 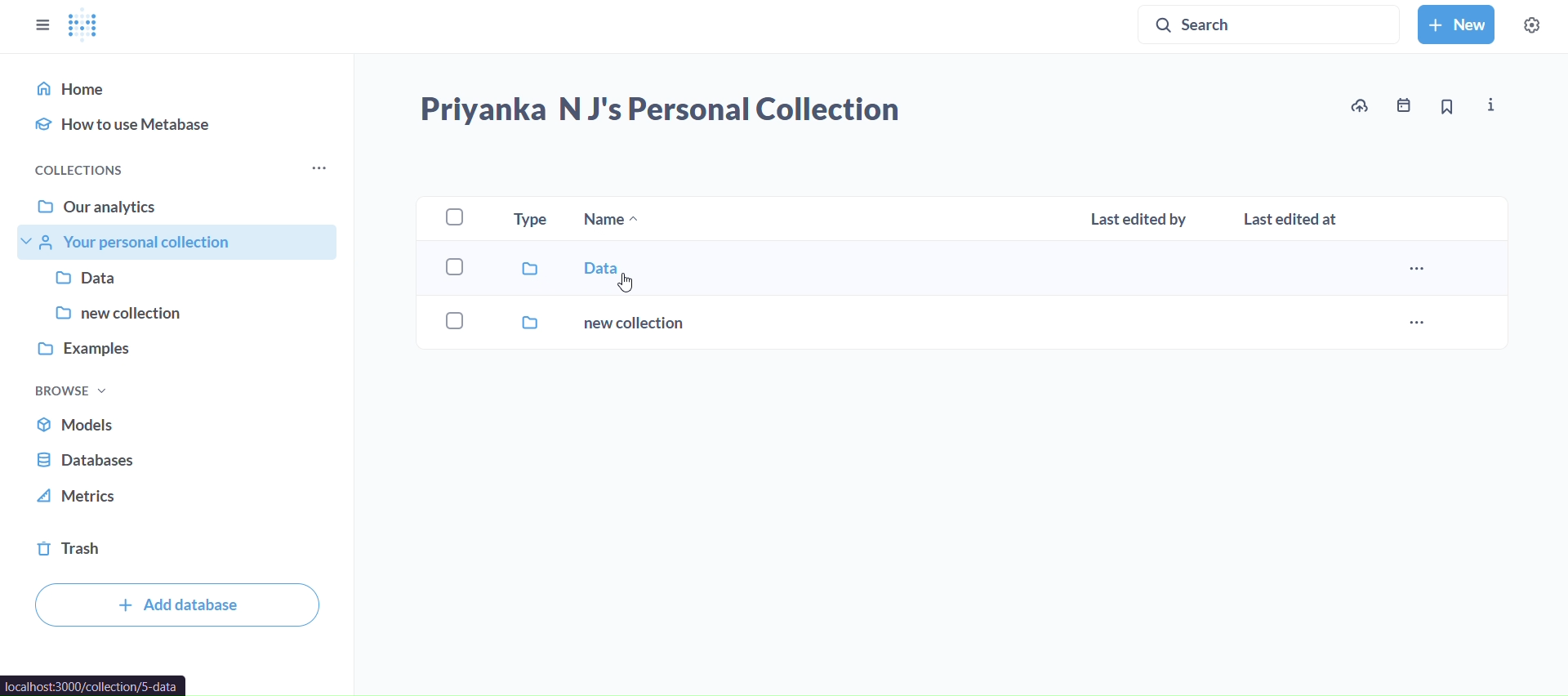 What do you see at coordinates (176, 348) in the screenshot?
I see `examples` at bounding box center [176, 348].